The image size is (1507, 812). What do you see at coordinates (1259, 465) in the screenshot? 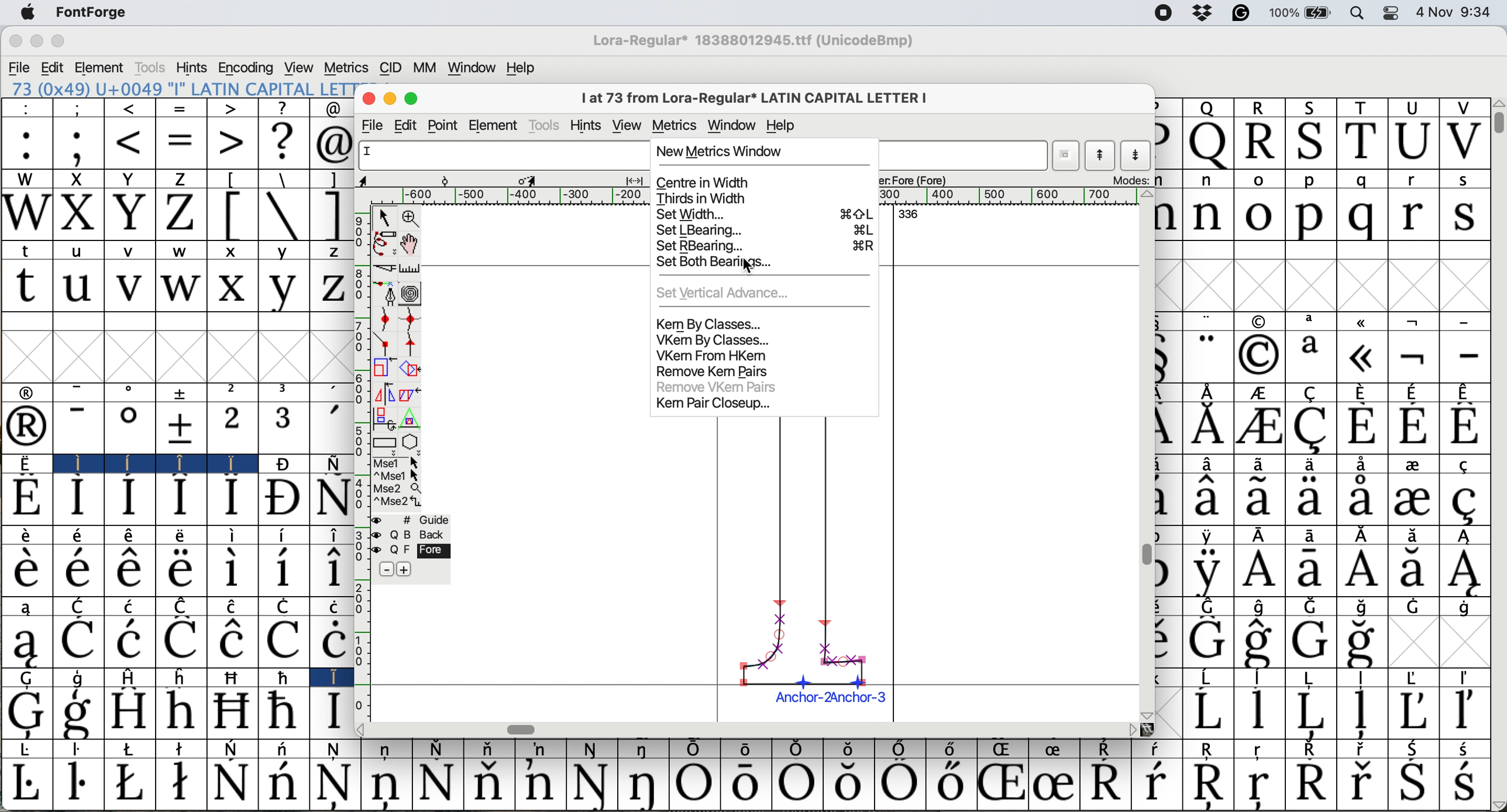
I see `Symbol` at bounding box center [1259, 465].